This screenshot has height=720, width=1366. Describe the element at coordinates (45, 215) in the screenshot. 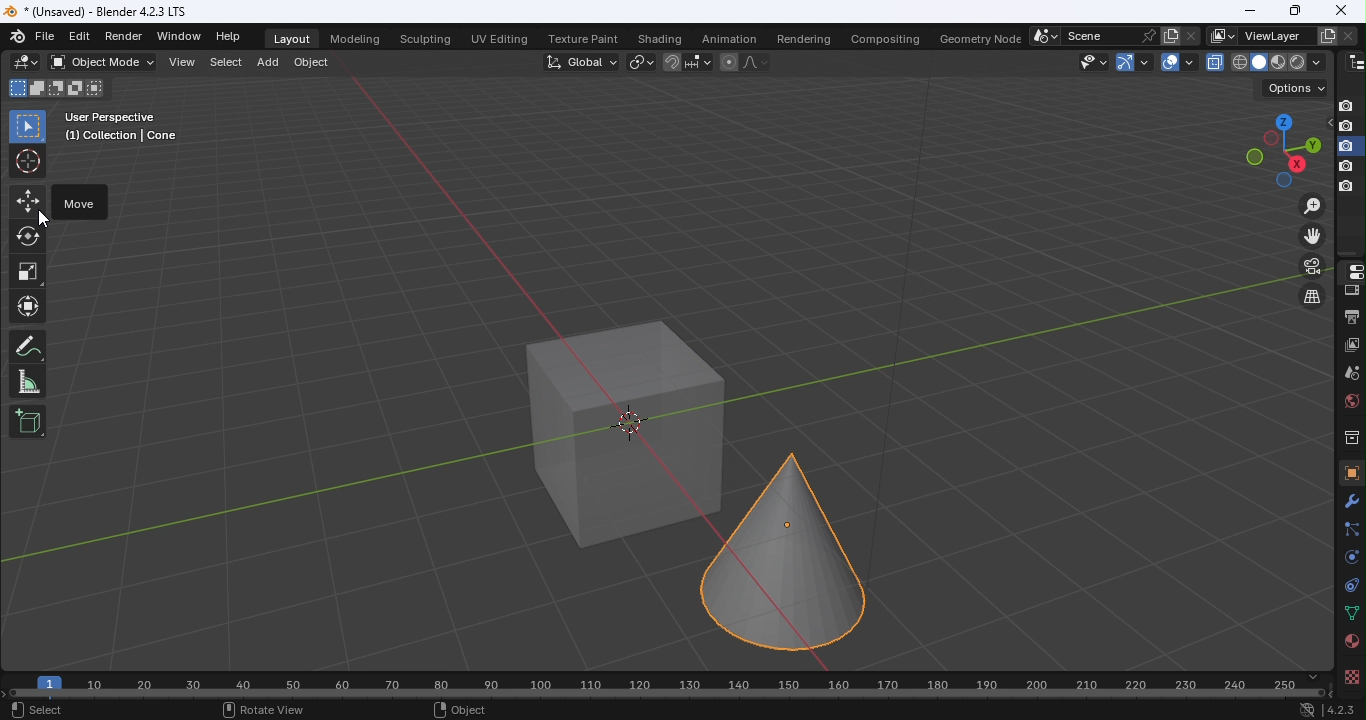

I see `cursor` at that location.